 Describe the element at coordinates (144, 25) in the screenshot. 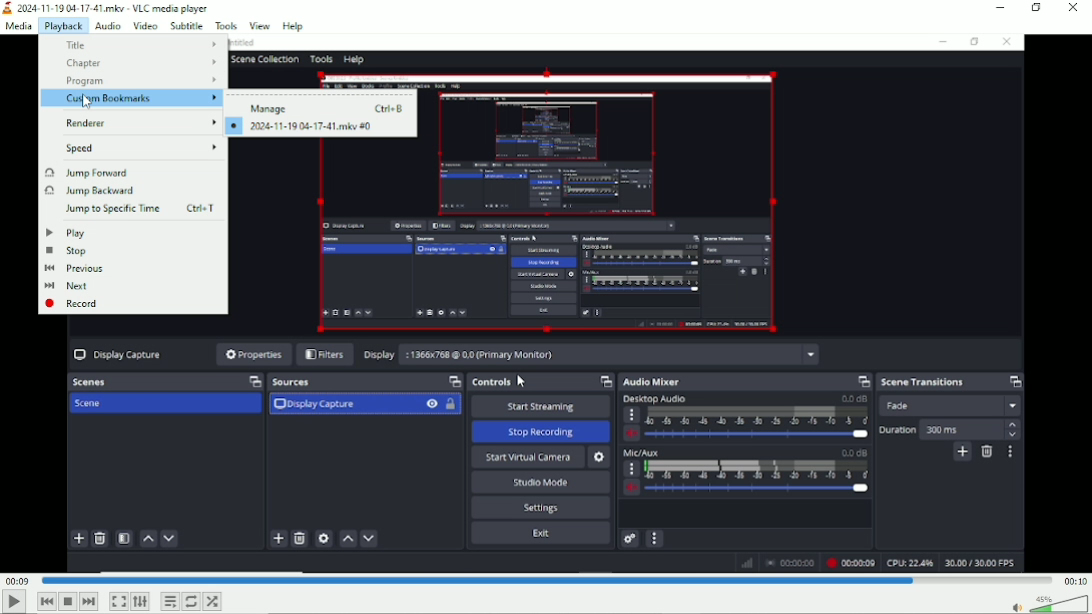

I see `Video` at that location.